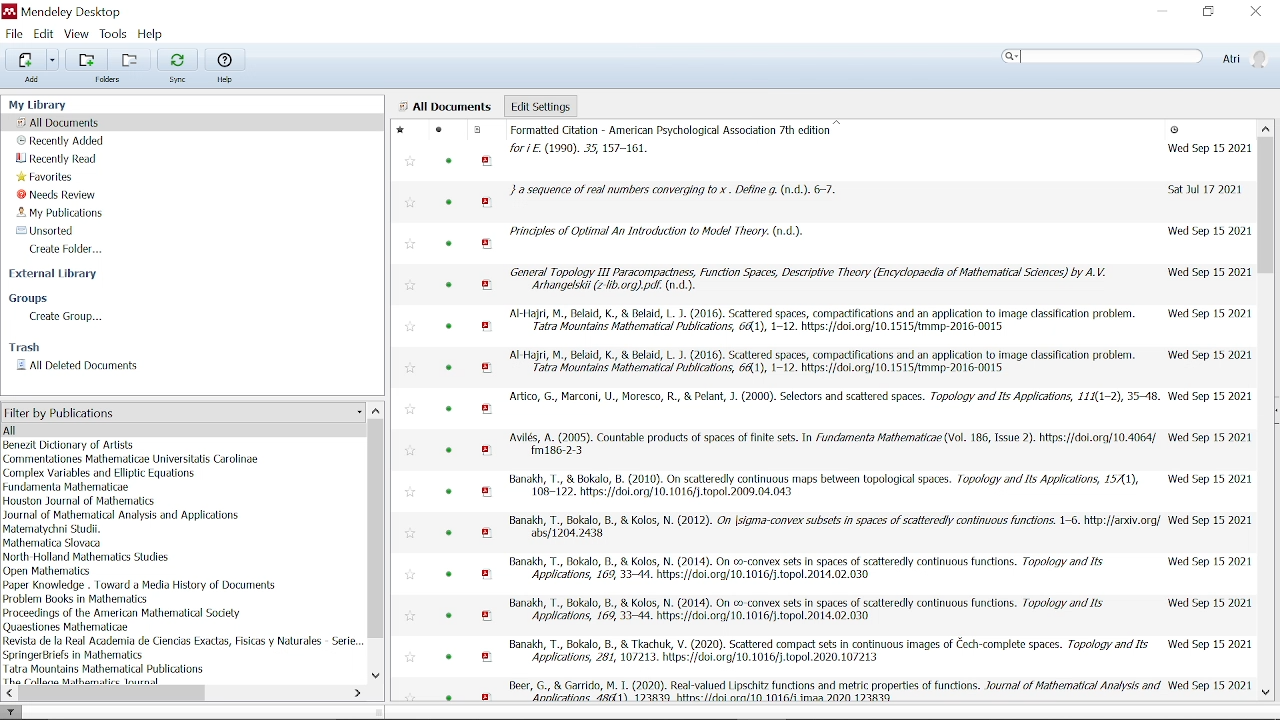  Describe the element at coordinates (47, 176) in the screenshot. I see `Favorites` at that location.